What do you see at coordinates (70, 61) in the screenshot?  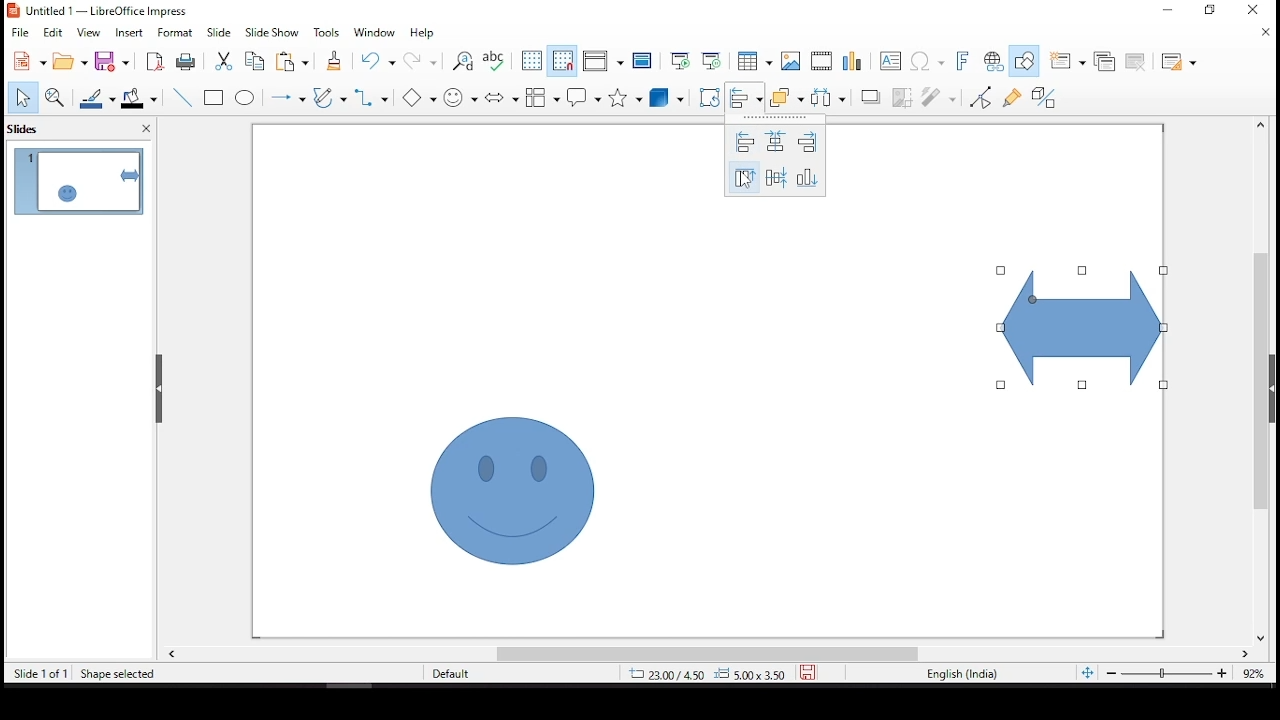 I see `open` at bounding box center [70, 61].